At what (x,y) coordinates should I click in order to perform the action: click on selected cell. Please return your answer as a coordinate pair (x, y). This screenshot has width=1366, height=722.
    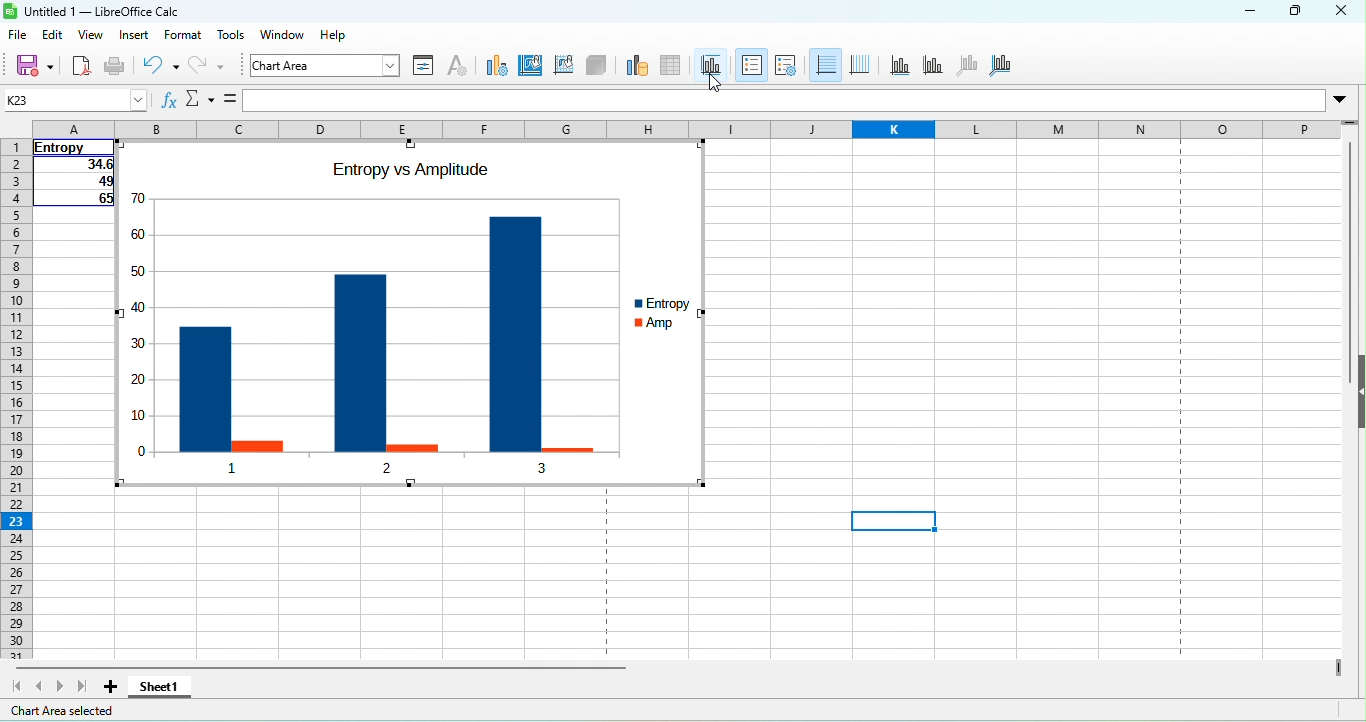
    Looking at the image, I should click on (893, 521).